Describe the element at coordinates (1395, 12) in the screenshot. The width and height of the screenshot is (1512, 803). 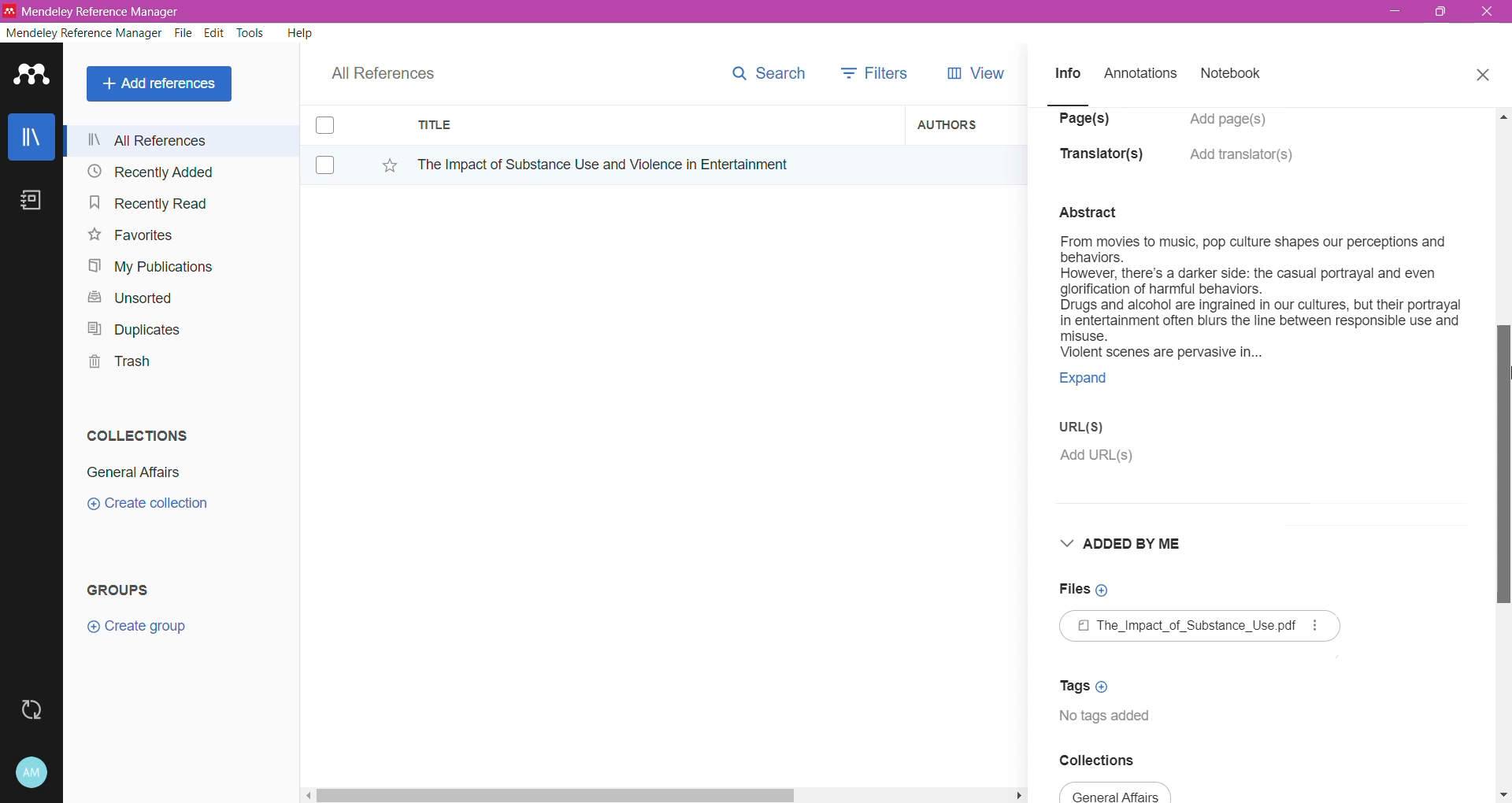
I see `Minimize` at that location.